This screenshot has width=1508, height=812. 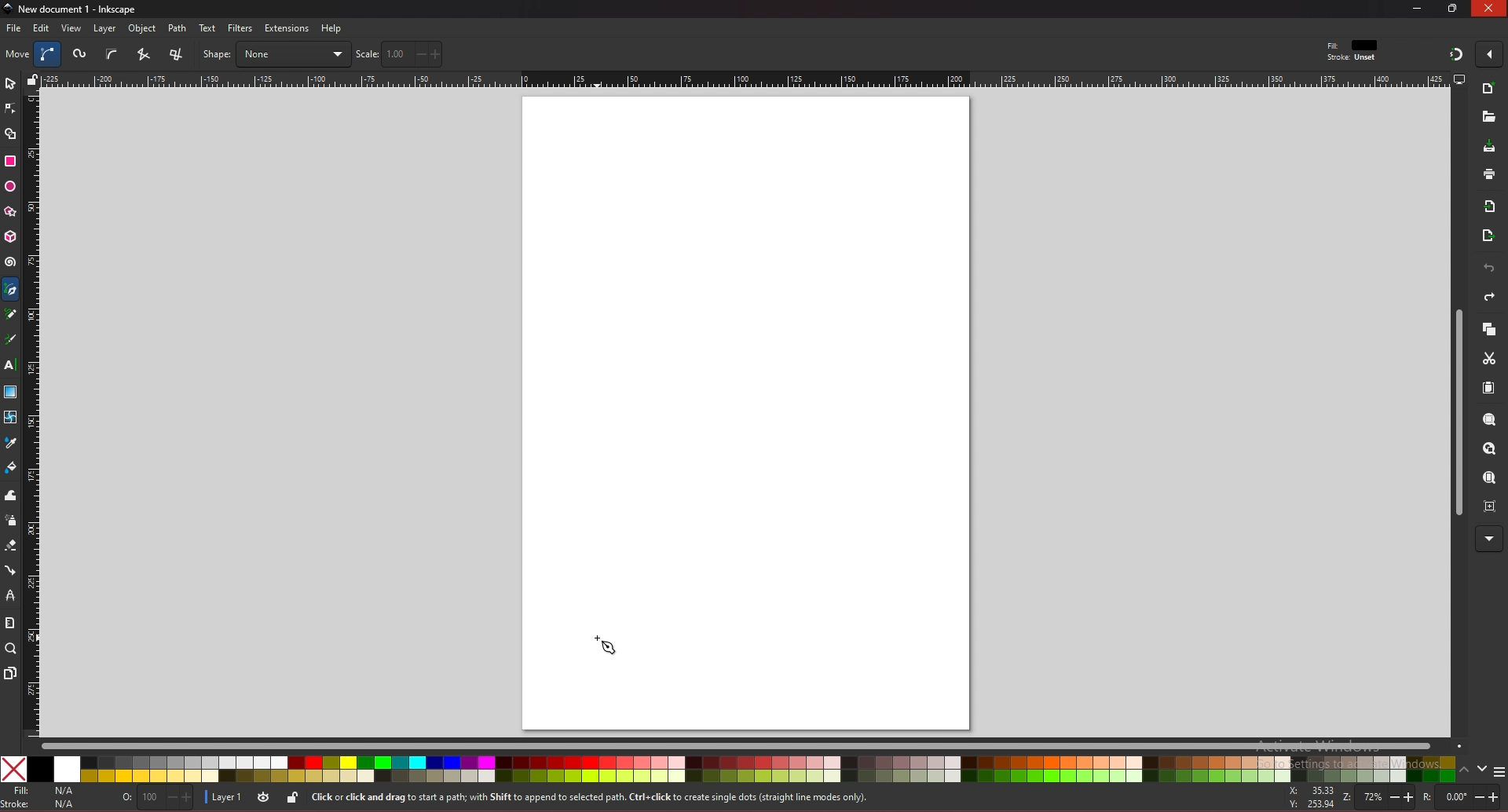 I want to click on fit, so click(x=1354, y=46).